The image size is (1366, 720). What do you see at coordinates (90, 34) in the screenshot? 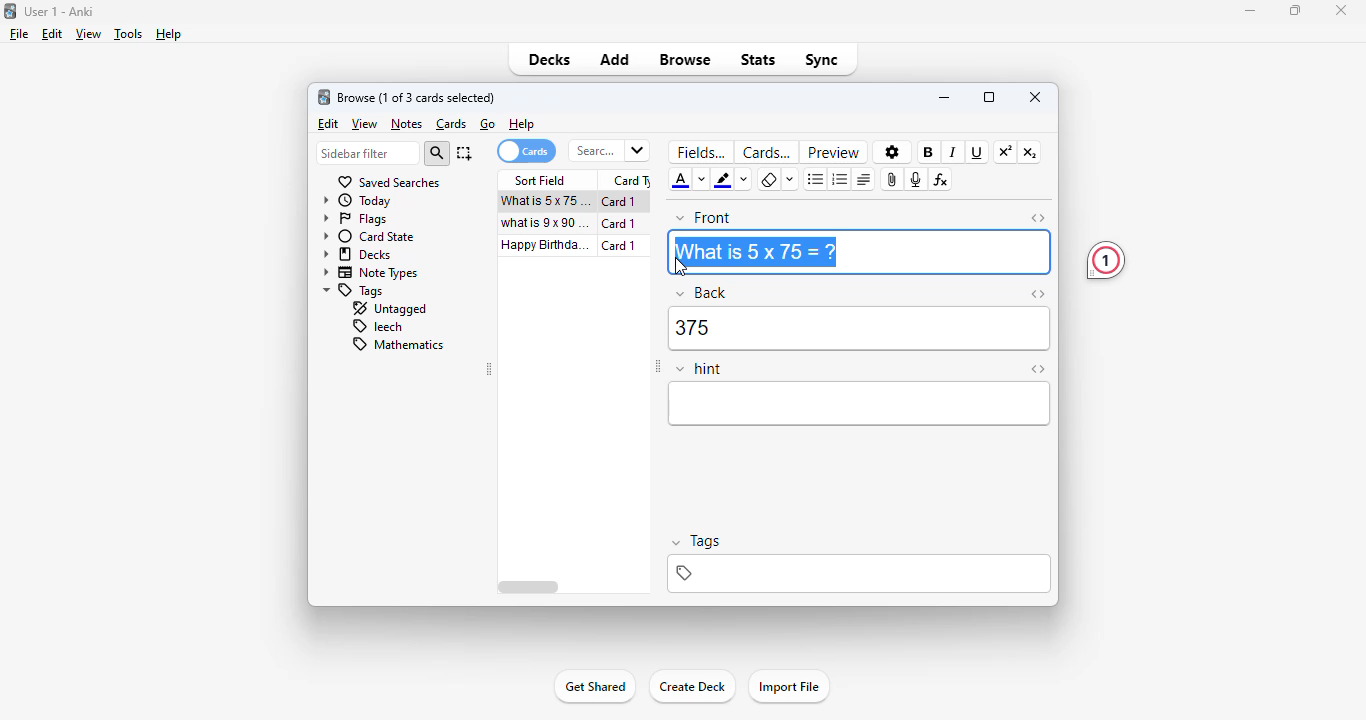
I see `view` at bounding box center [90, 34].